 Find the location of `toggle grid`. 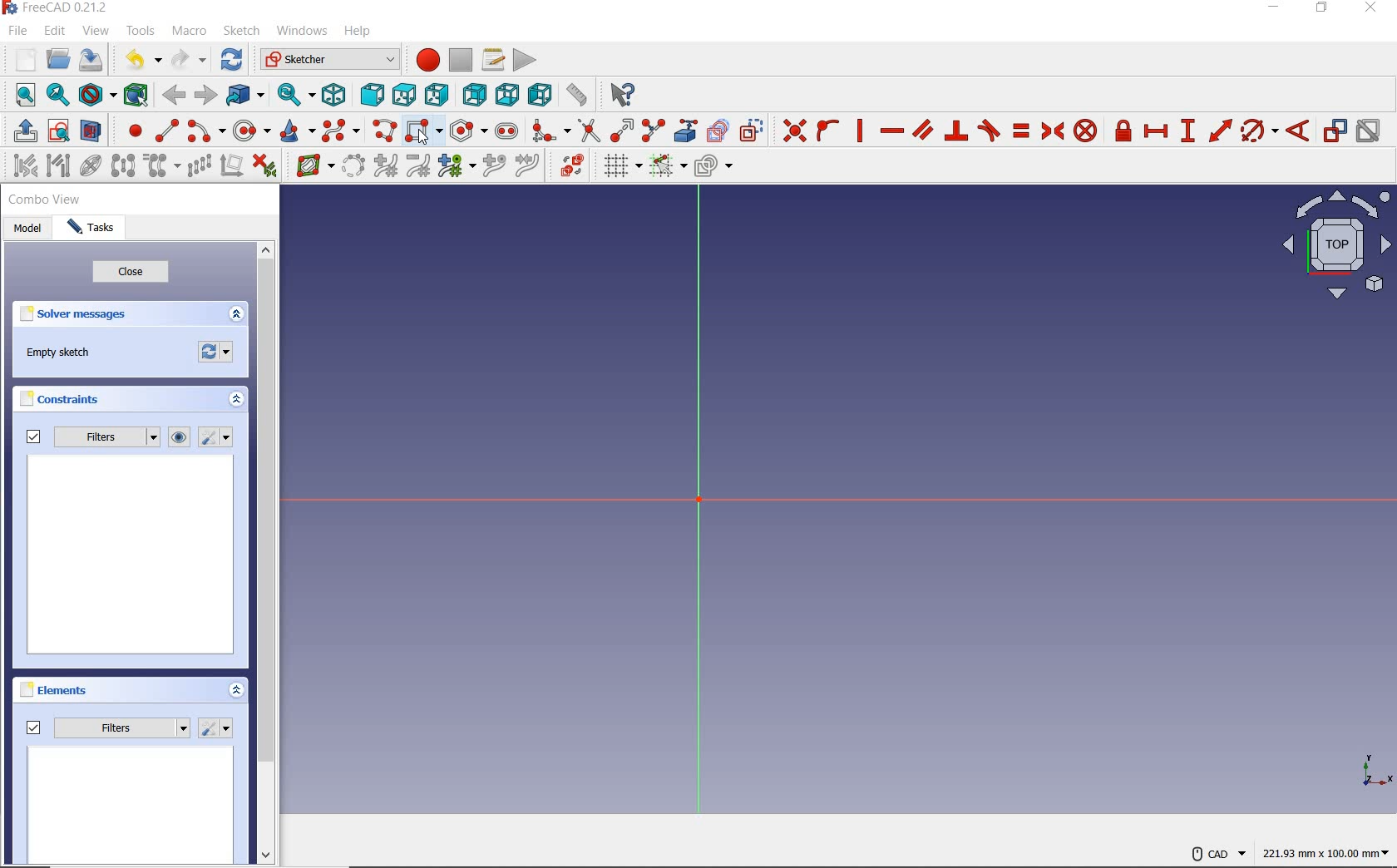

toggle grid is located at coordinates (621, 167).